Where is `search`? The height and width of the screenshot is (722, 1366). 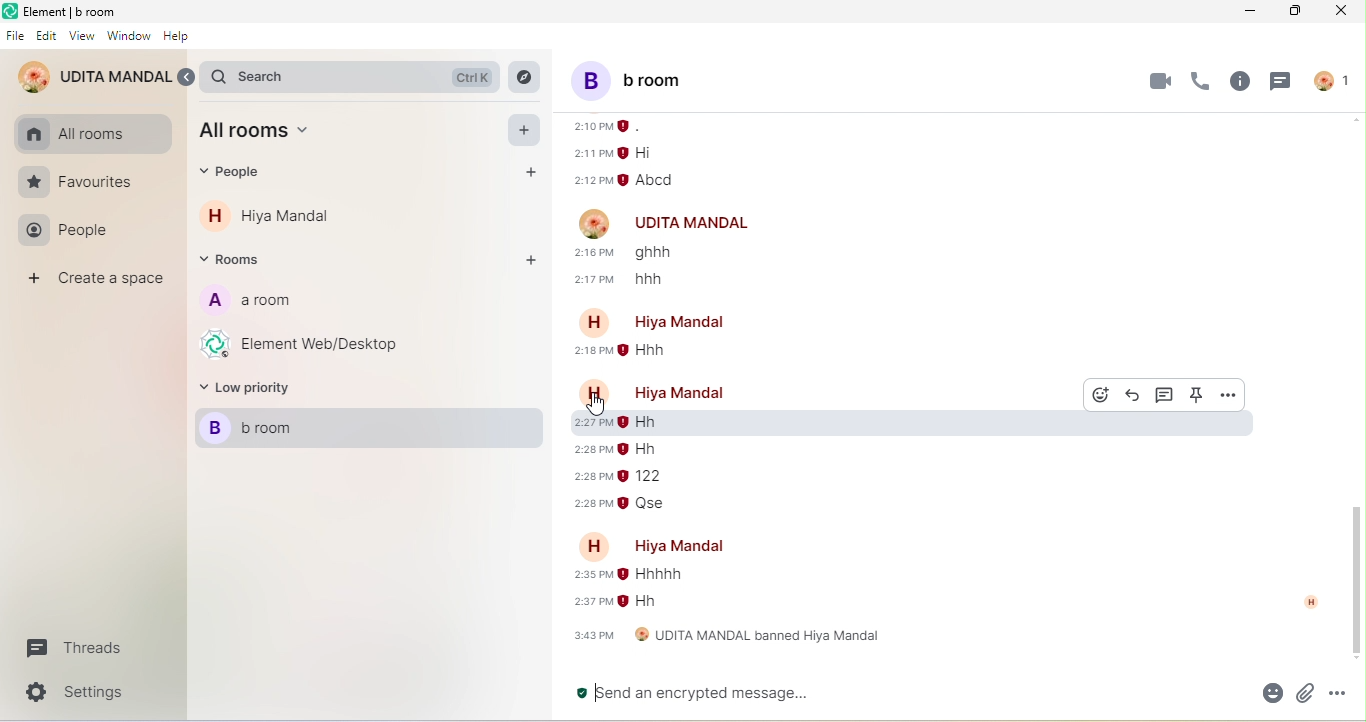 search is located at coordinates (356, 77).